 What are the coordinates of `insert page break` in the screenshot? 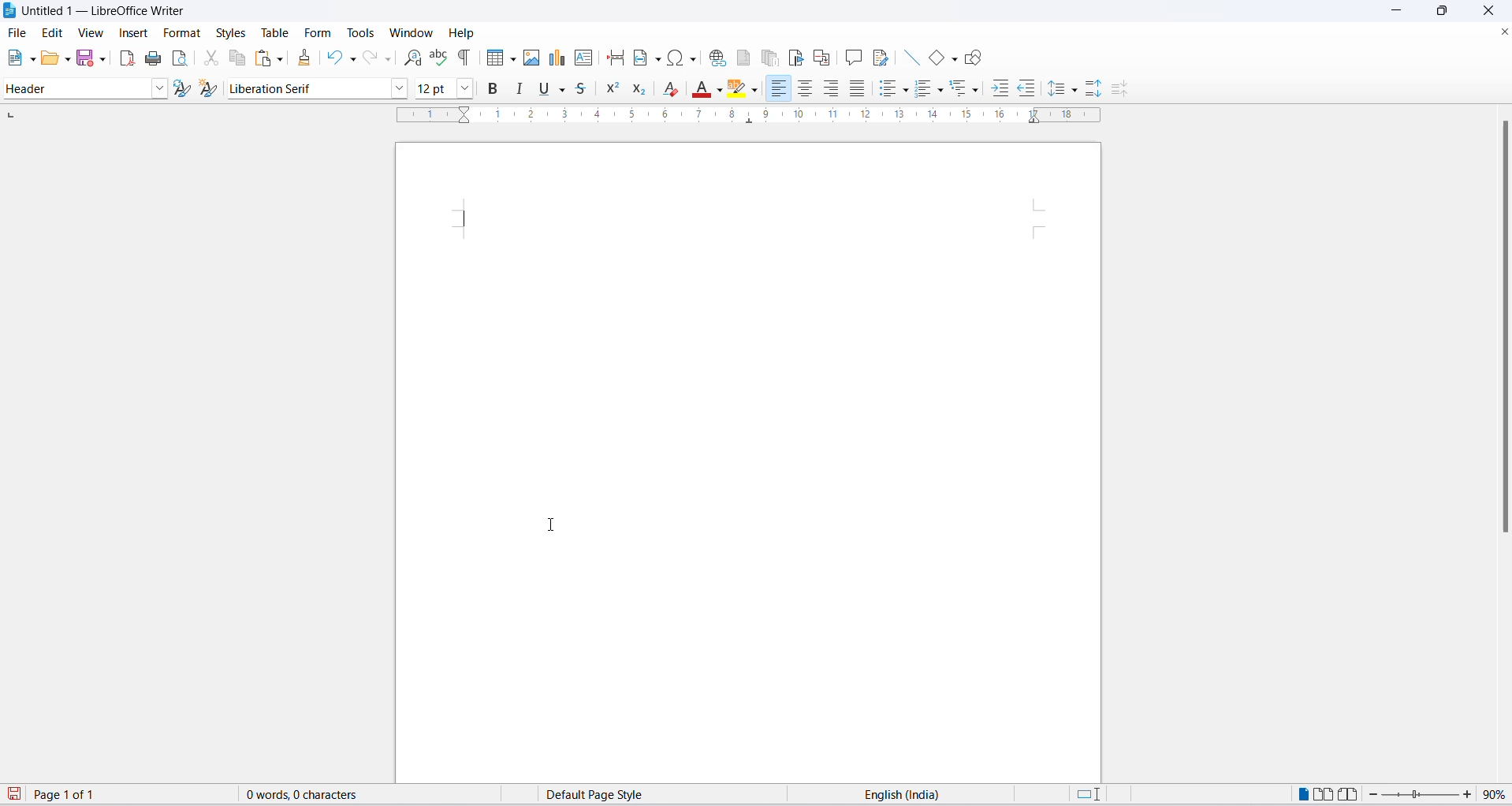 It's located at (612, 58).